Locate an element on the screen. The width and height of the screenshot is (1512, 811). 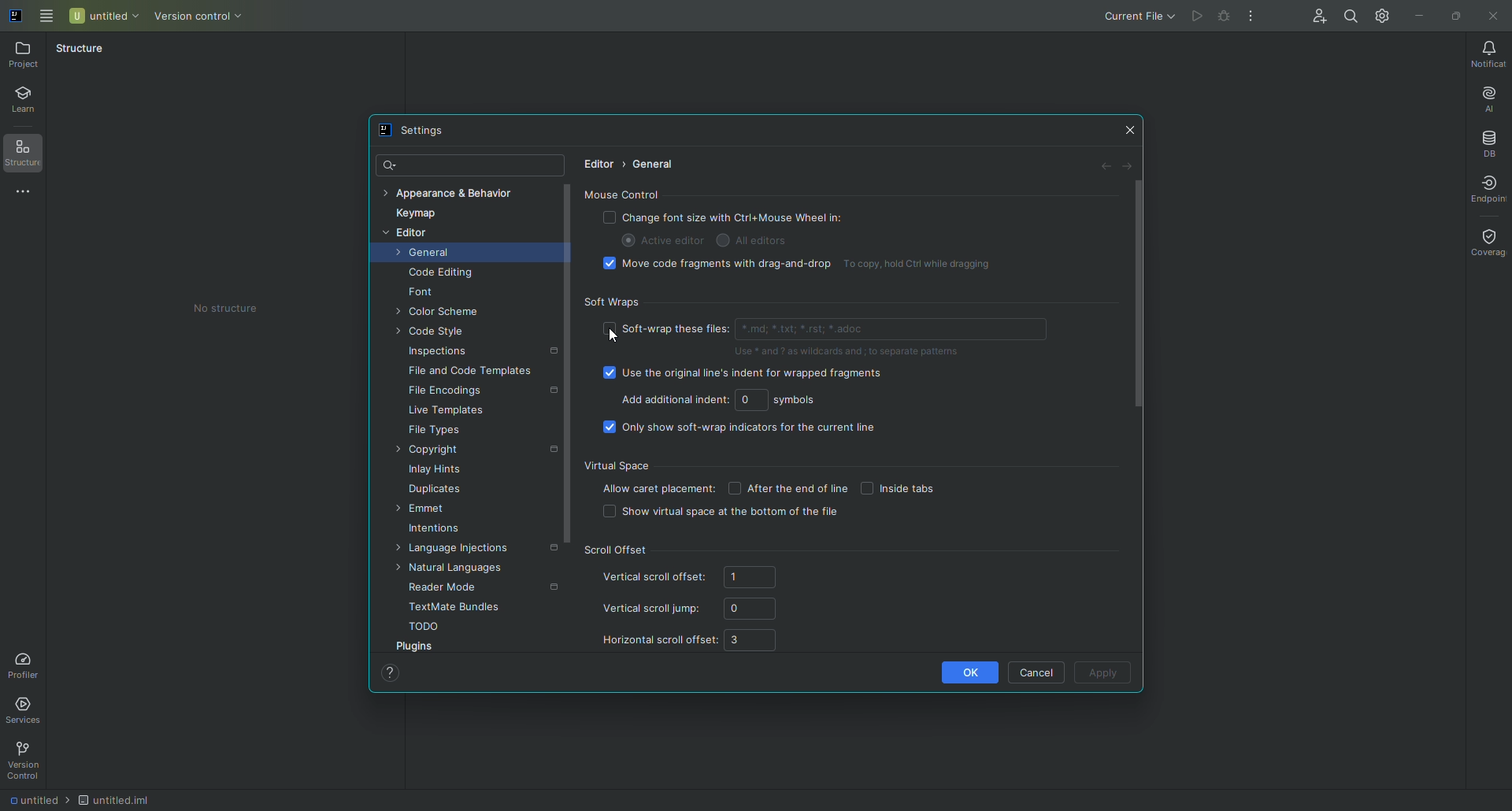
Code Editing is located at coordinates (442, 274).